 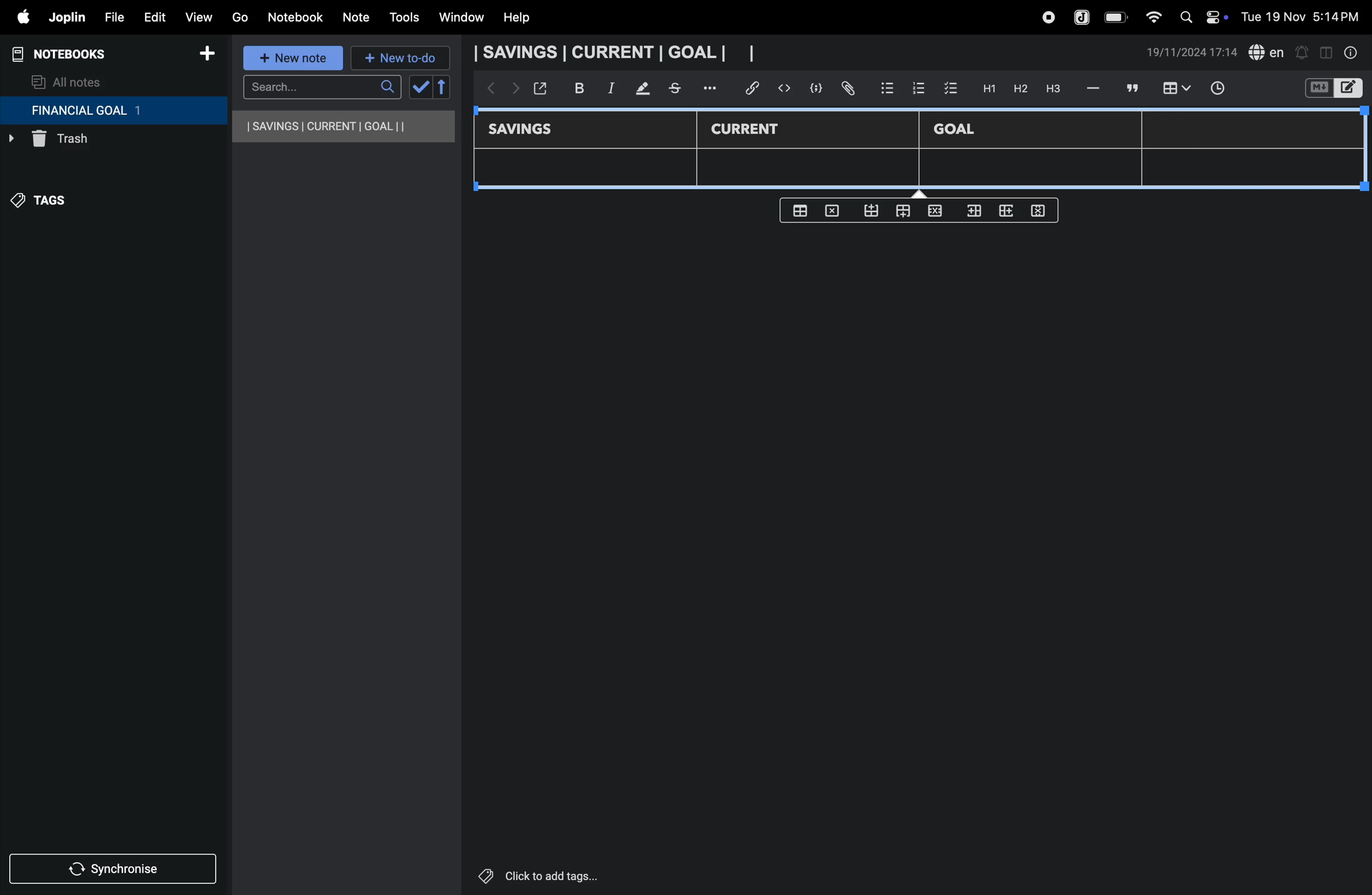 I want to click on delete rows, so click(x=1039, y=210).